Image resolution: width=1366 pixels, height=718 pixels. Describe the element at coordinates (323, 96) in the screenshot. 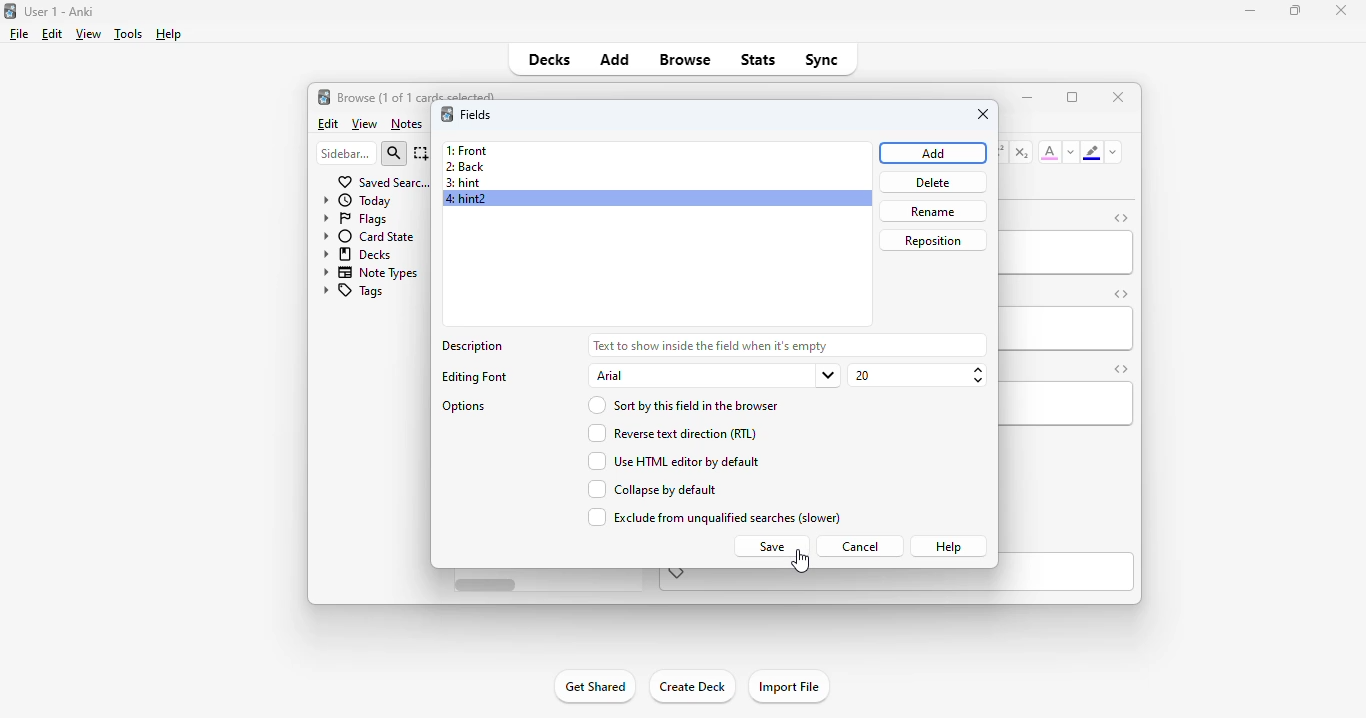

I see `logo` at that location.